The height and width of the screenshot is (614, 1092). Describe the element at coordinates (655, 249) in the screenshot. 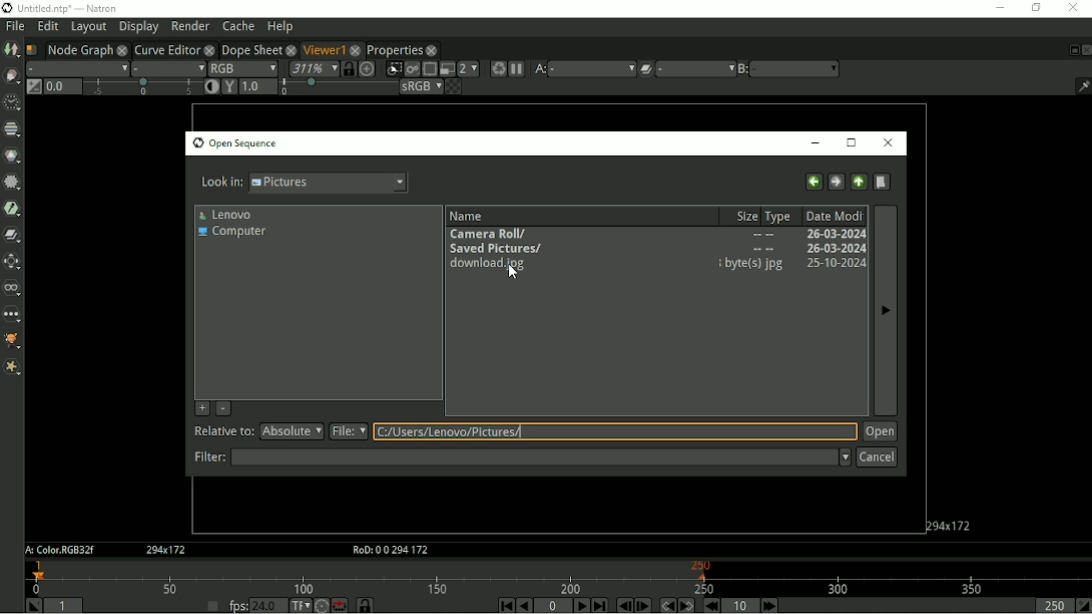

I see `Saved Pictures` at that location.